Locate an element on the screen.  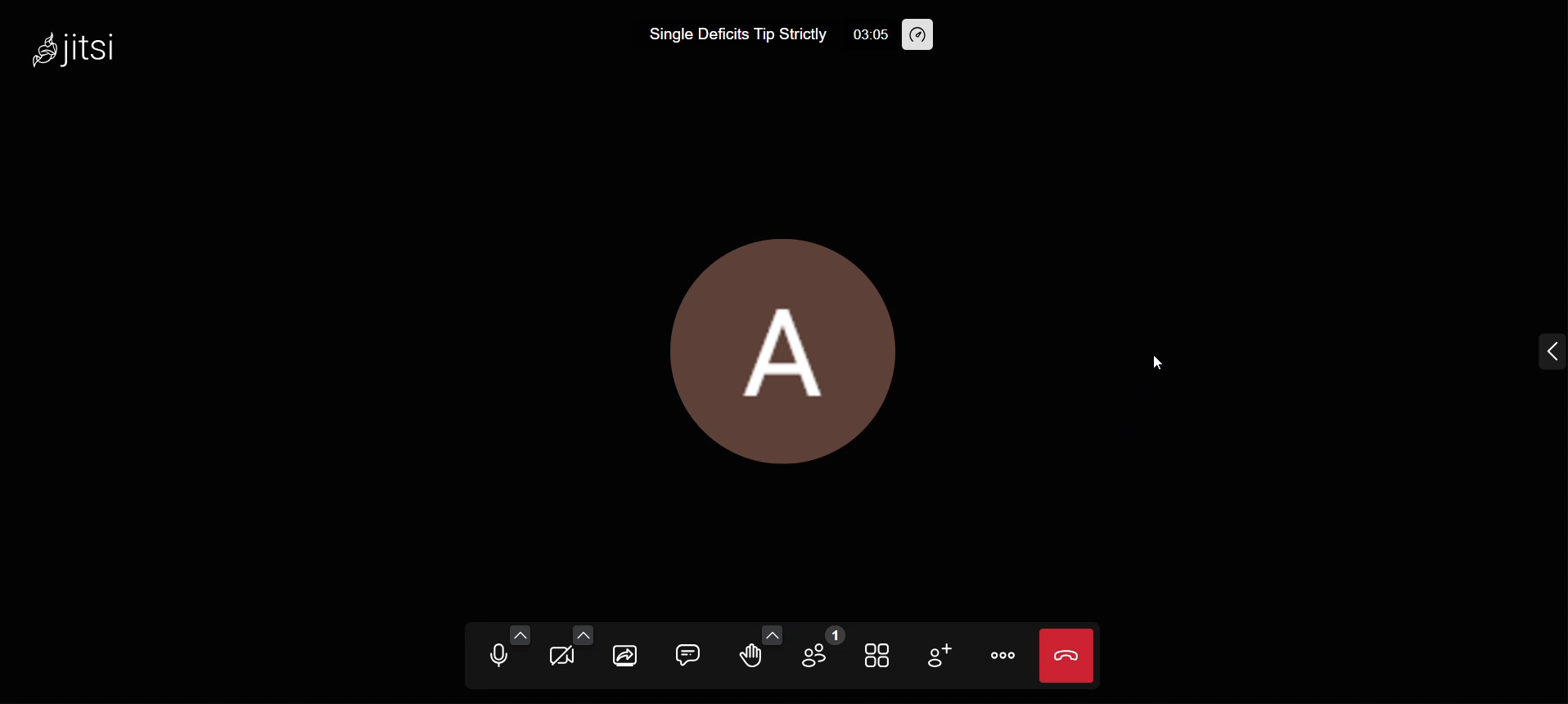
participants is located at coordinates (823, 652).